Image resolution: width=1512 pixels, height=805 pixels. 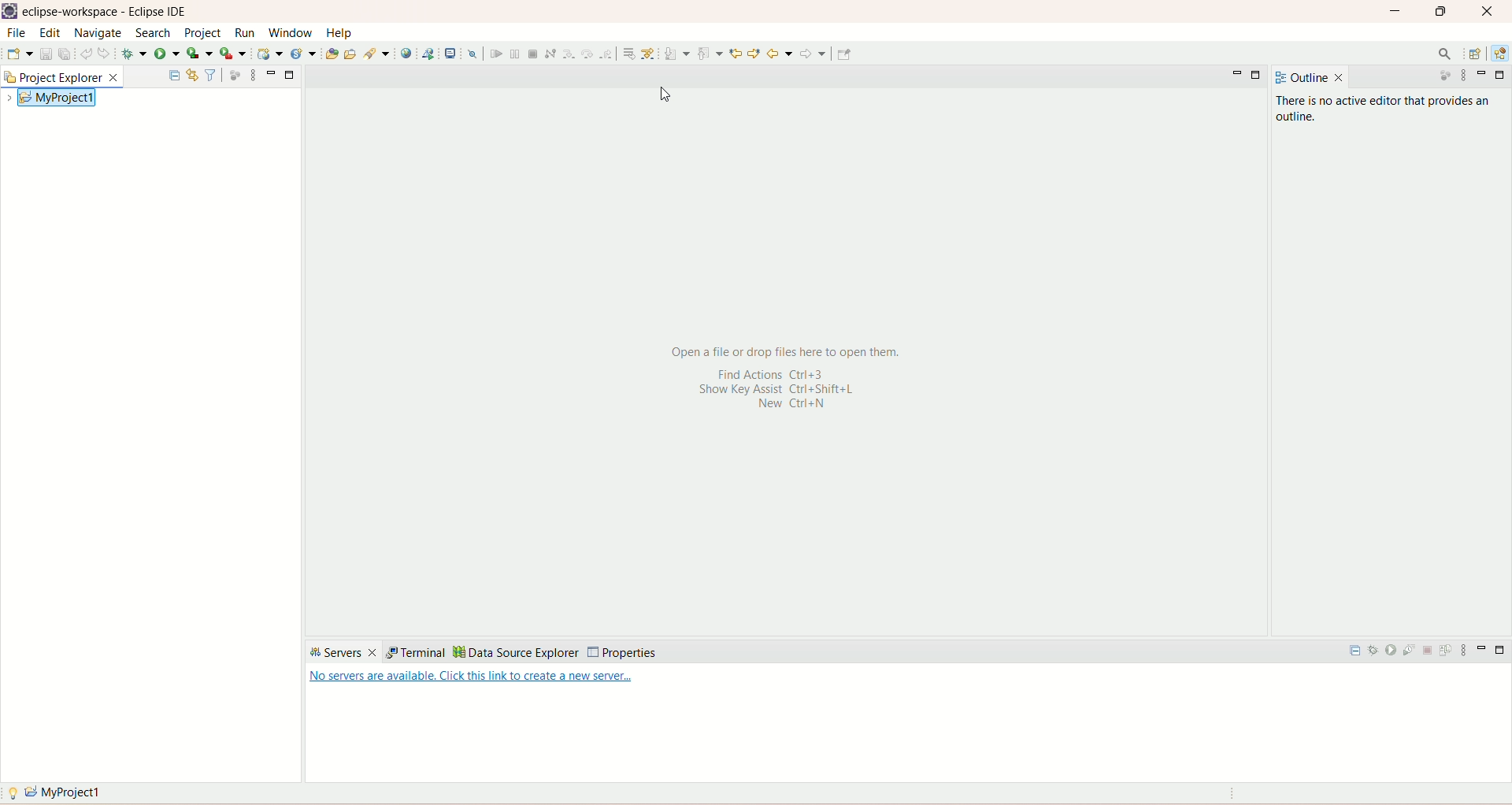 I want to click on project, so click(x=204, y=33).